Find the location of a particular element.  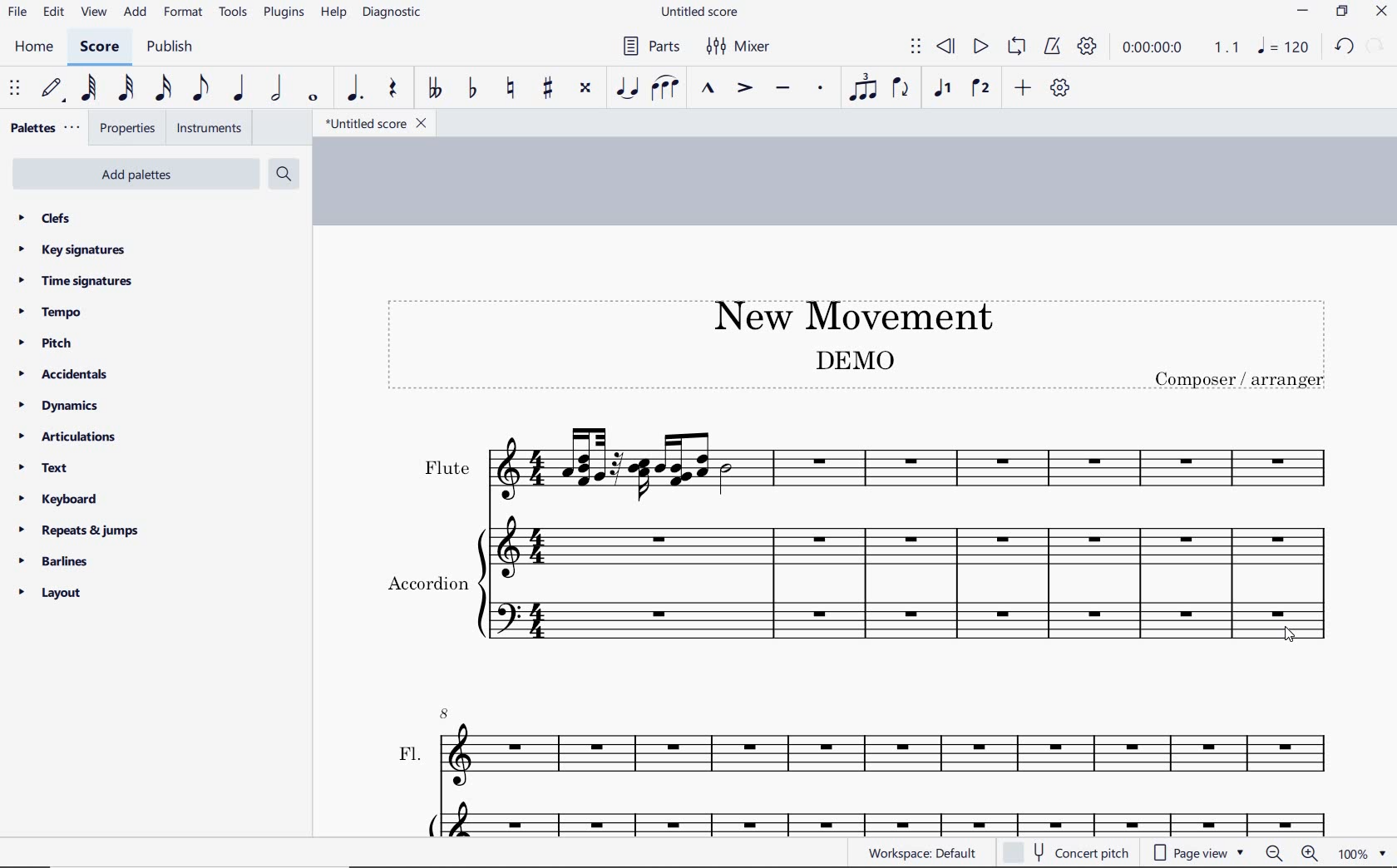

tie is located at coordinates (629, 89).